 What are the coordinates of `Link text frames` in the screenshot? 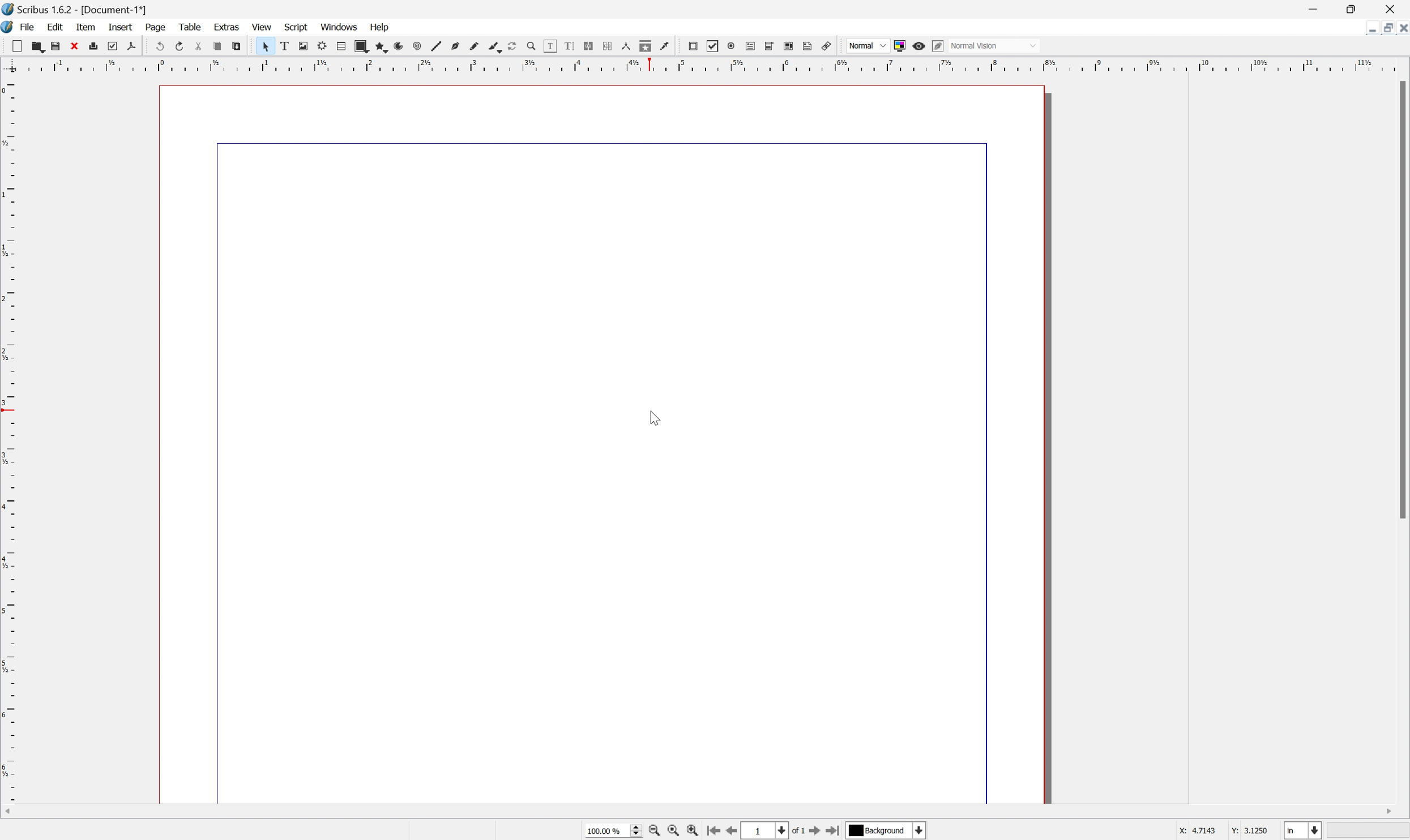 It's located at (591, 46).